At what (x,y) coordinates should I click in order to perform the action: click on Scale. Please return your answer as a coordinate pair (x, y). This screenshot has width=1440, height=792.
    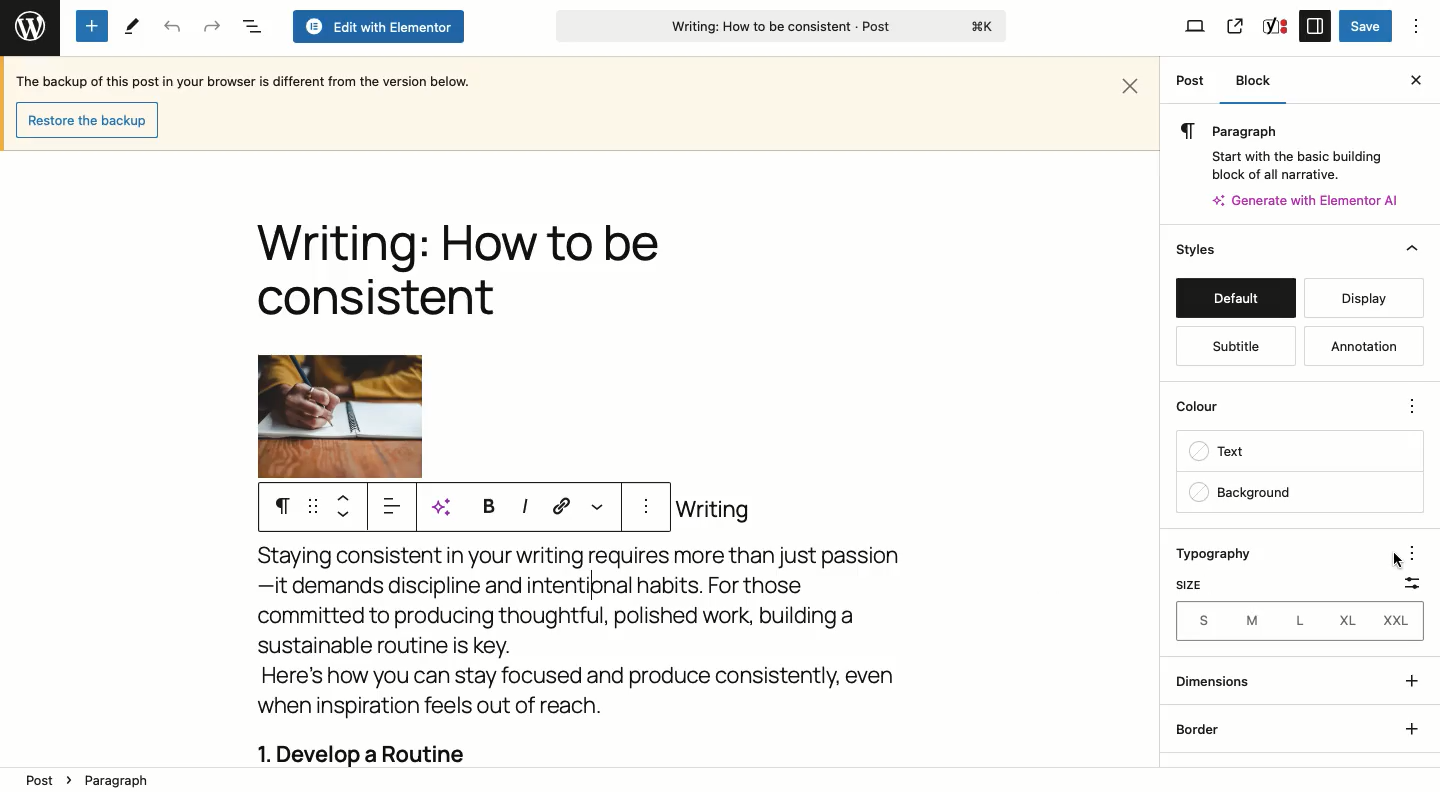
    Looking at the image, I should click on (1412, 583).